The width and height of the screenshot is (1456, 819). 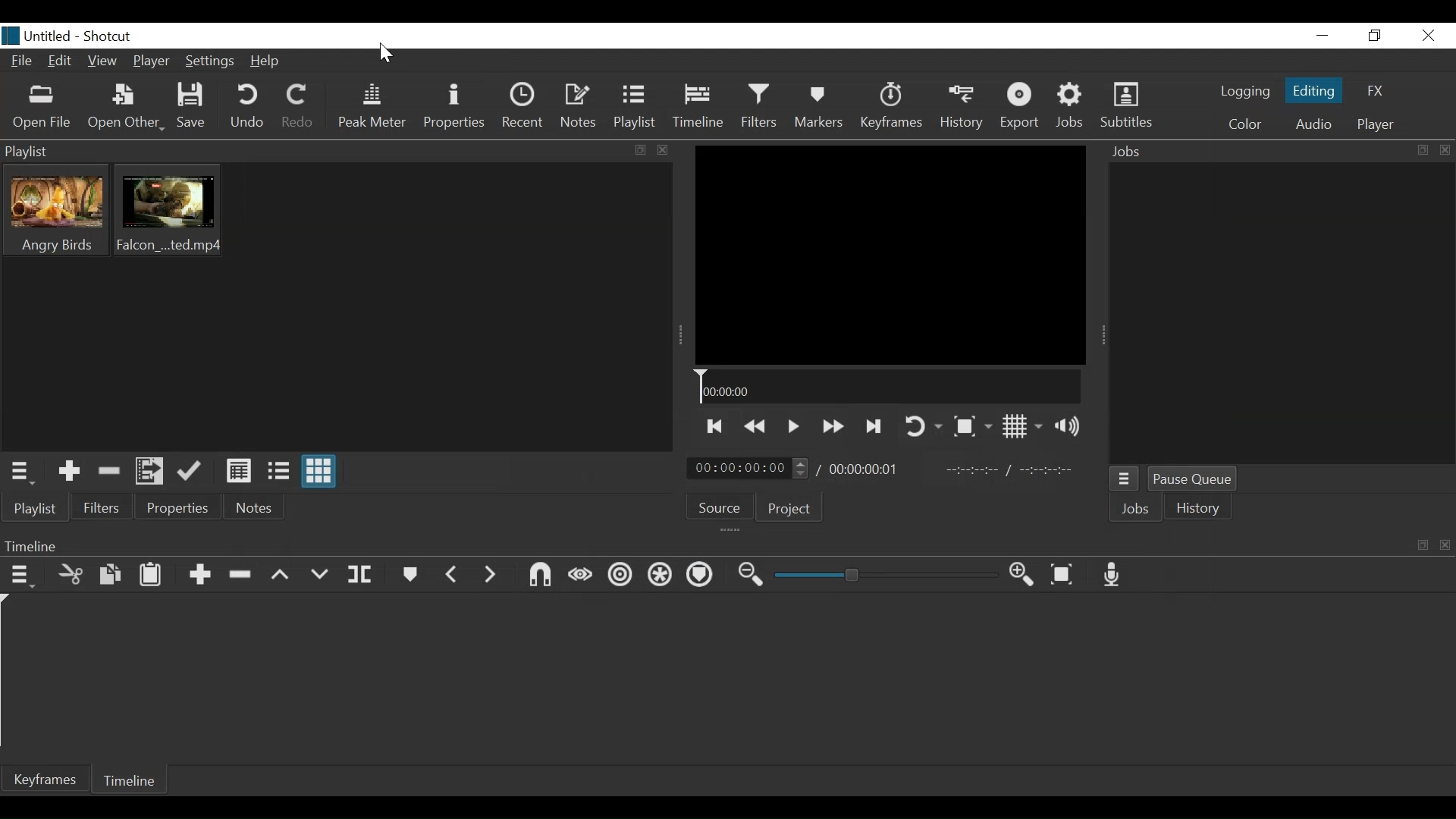 I want to click on Open File, so click(x=42, y=107).